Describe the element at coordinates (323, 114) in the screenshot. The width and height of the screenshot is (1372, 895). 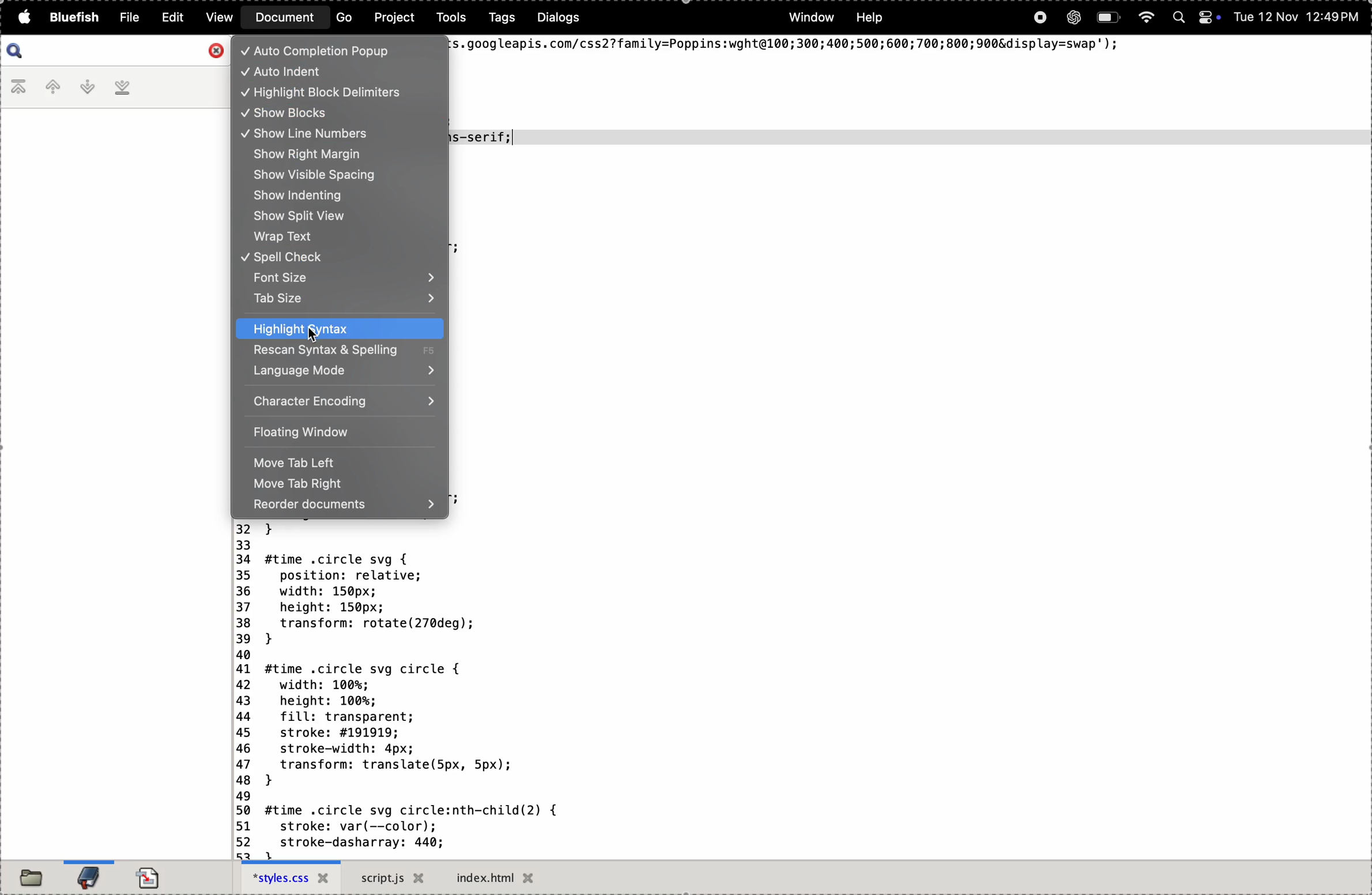
I see `Show blocks` at that location.